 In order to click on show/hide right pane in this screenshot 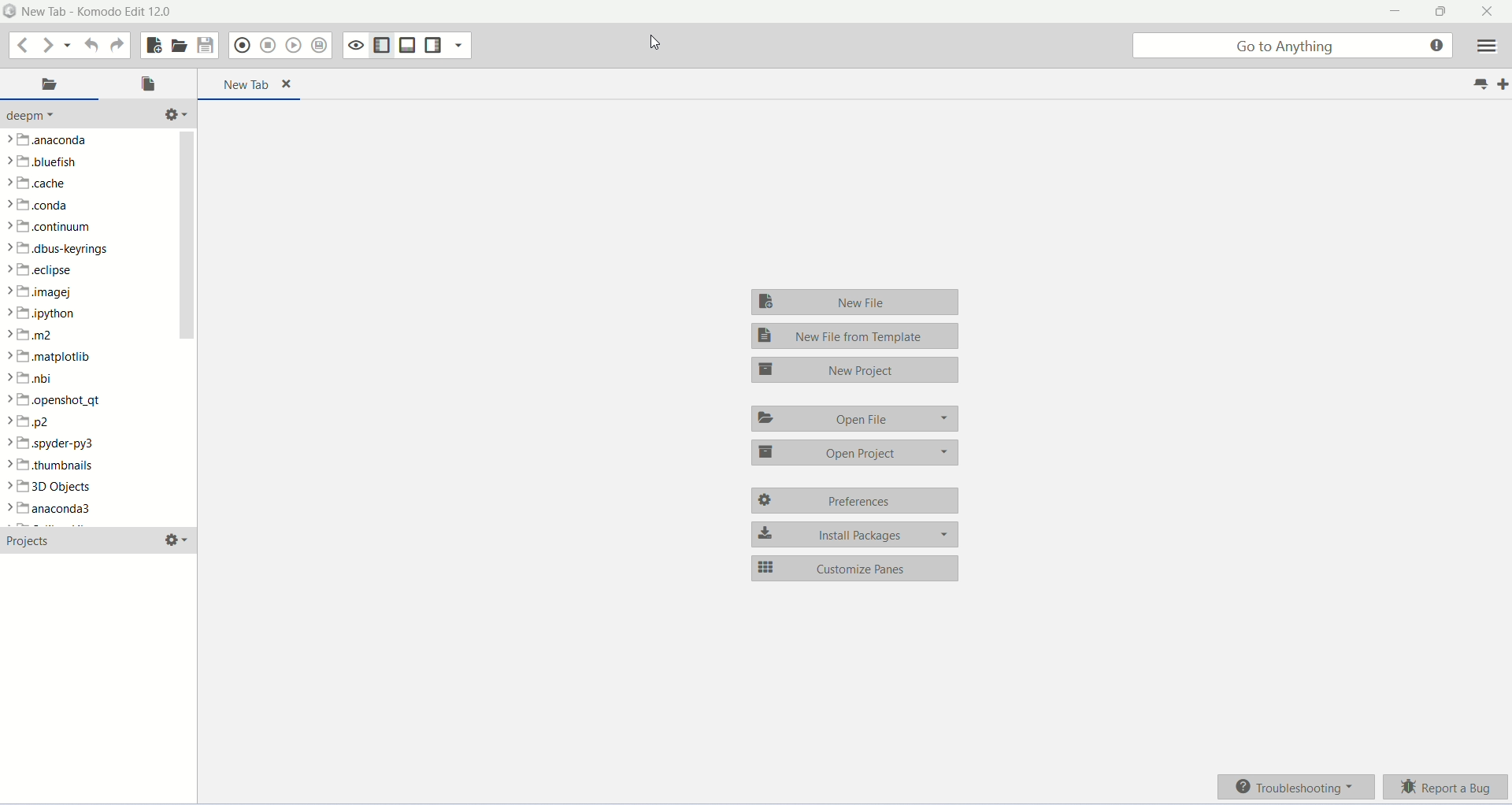, I will do `click(499, 78)`.